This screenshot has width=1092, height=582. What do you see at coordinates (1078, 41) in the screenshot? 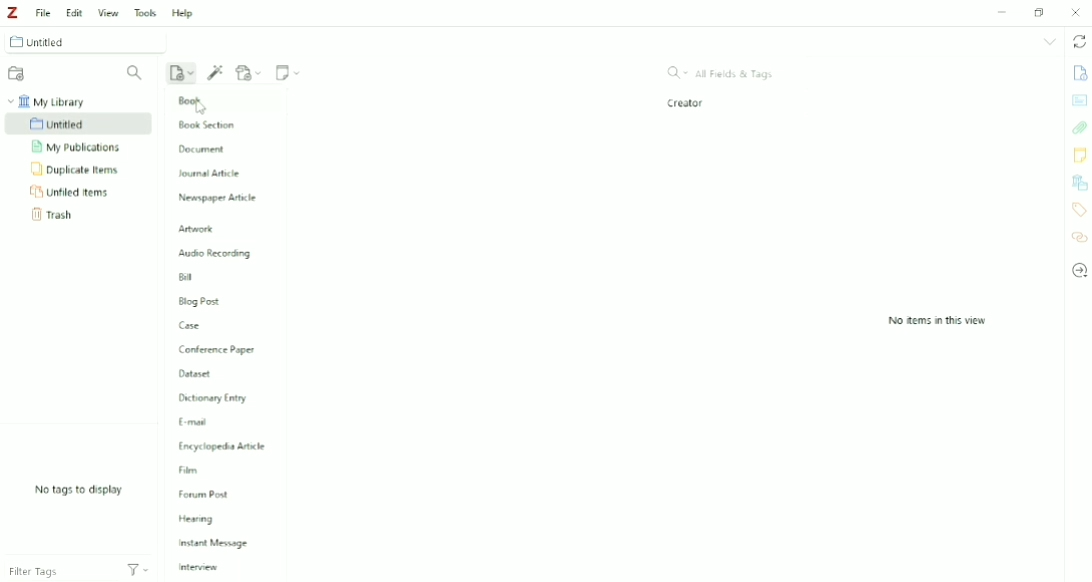
I see `Sync` at bounding box center [1078, 41].